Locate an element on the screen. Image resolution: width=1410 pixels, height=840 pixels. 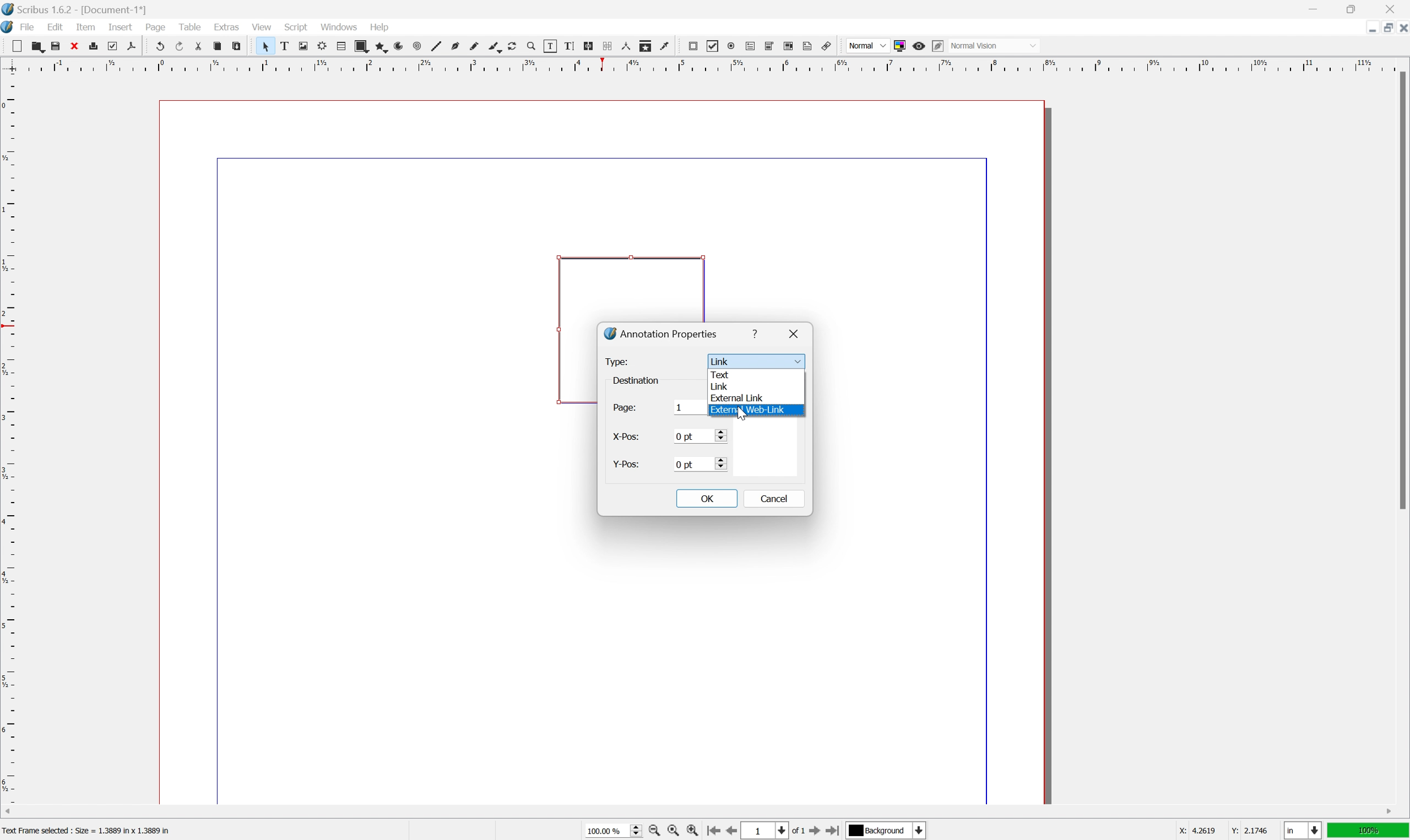
close is located at coordinates (1391, 9).